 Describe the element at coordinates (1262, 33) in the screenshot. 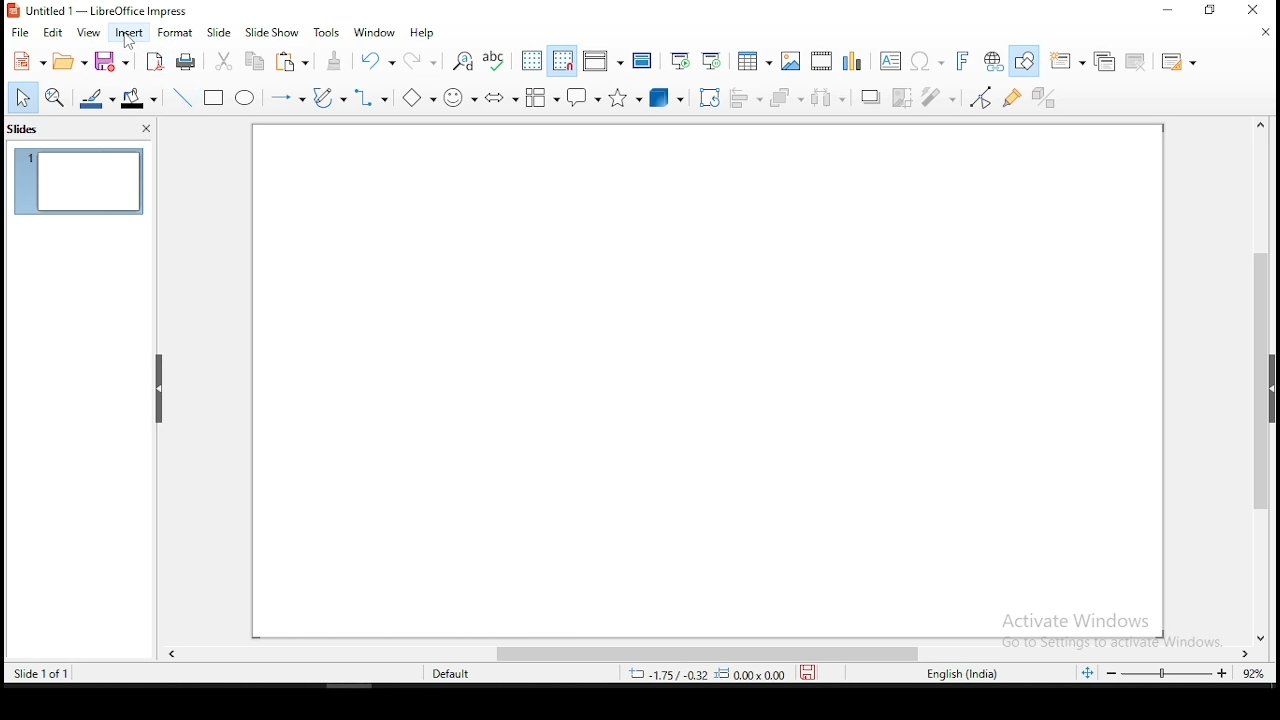

I see `close` at that location.